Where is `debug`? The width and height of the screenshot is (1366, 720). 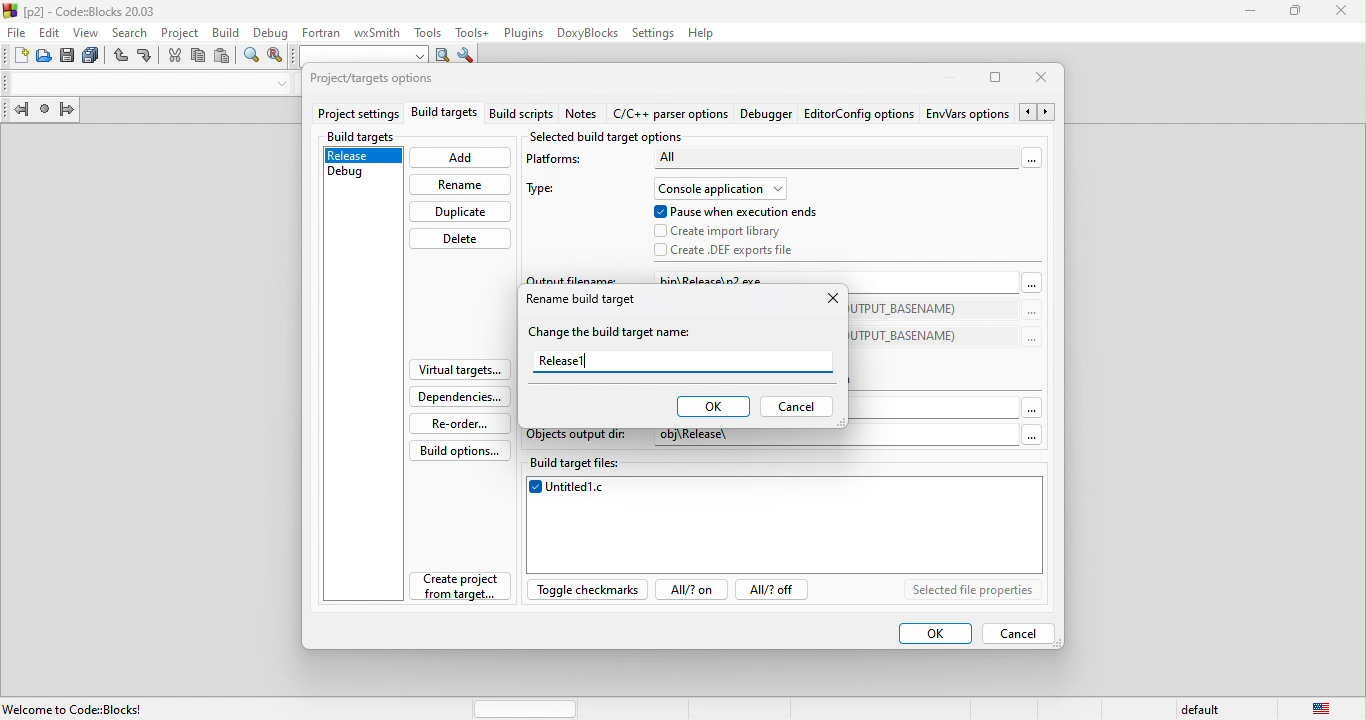 debug is located at coordinates (352, 176).